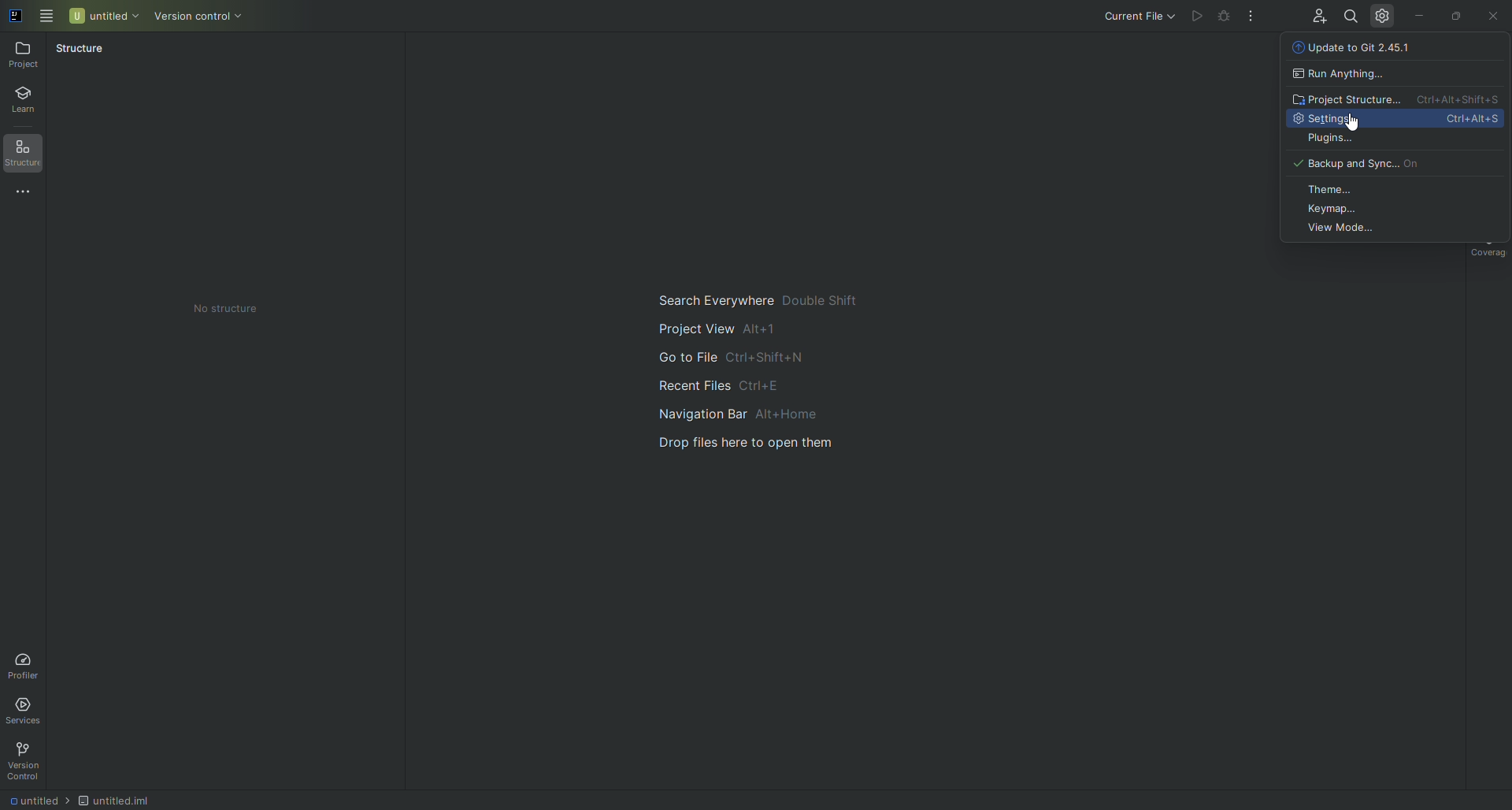 The height and width of the screenshot is (810, 1512). Describe the element at coordinates (1495, 16) in the screenshot. I see `Close` at that location.